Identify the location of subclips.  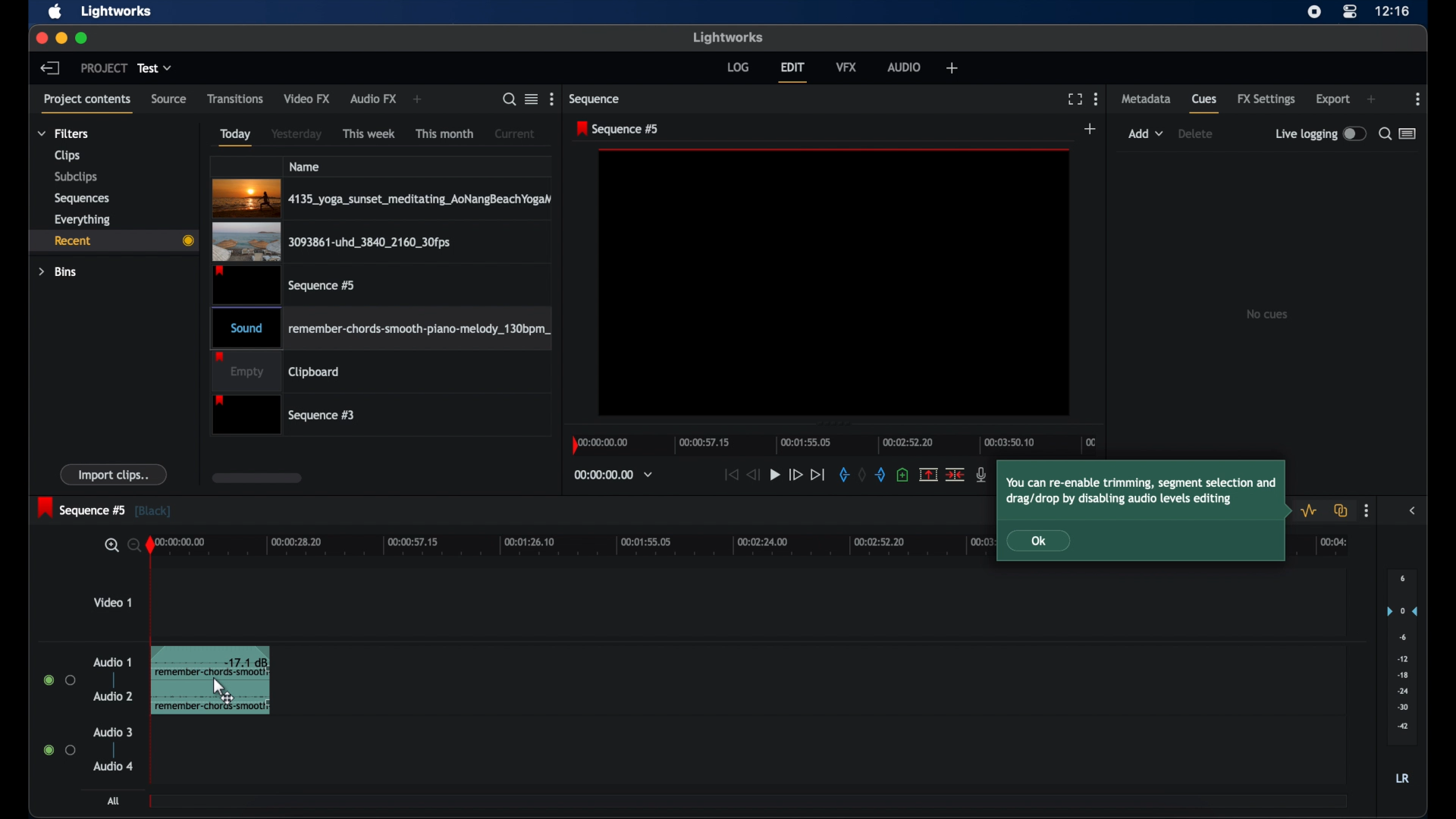
(77, 177).